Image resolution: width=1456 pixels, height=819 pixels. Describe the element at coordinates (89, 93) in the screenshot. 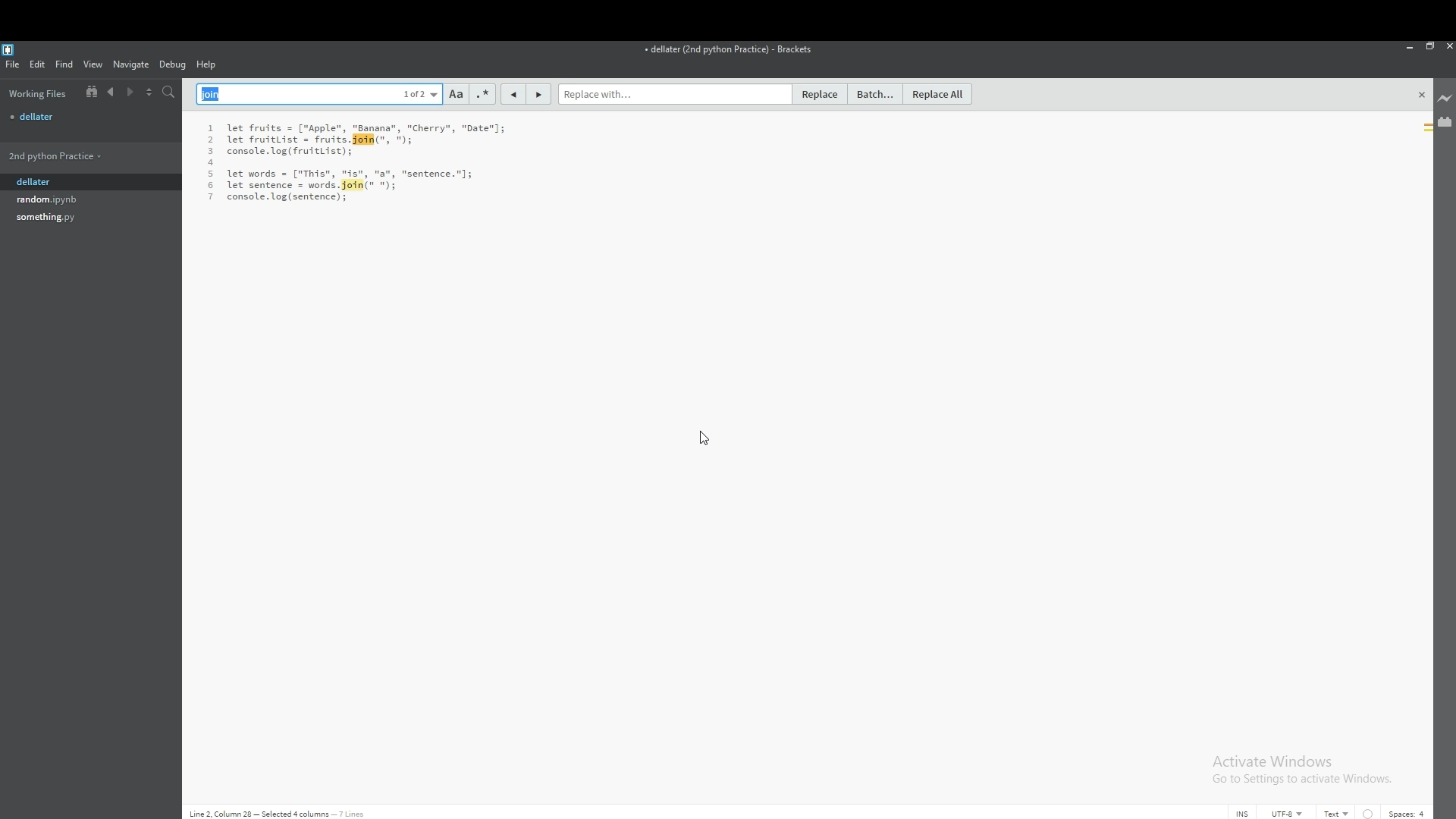

I see `show in file tree` at that location.